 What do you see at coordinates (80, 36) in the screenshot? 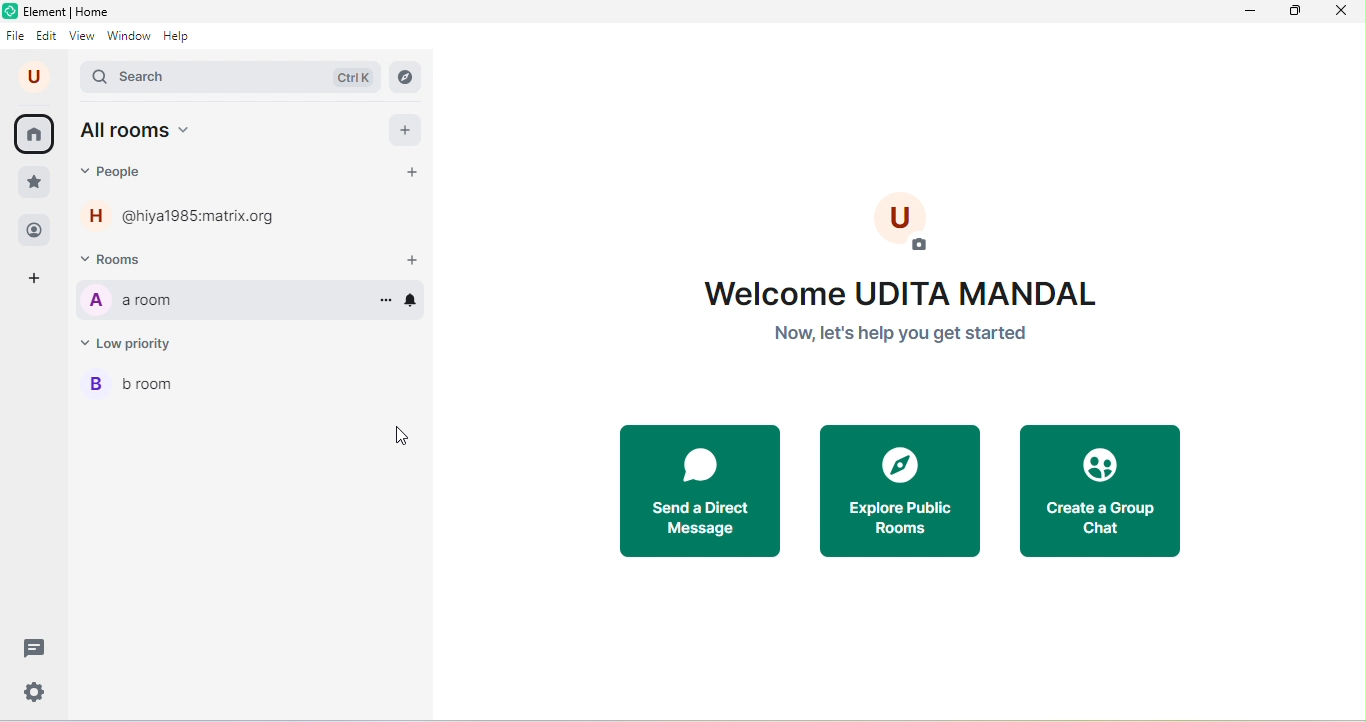
I see `view` at bounding box center [80, 36].